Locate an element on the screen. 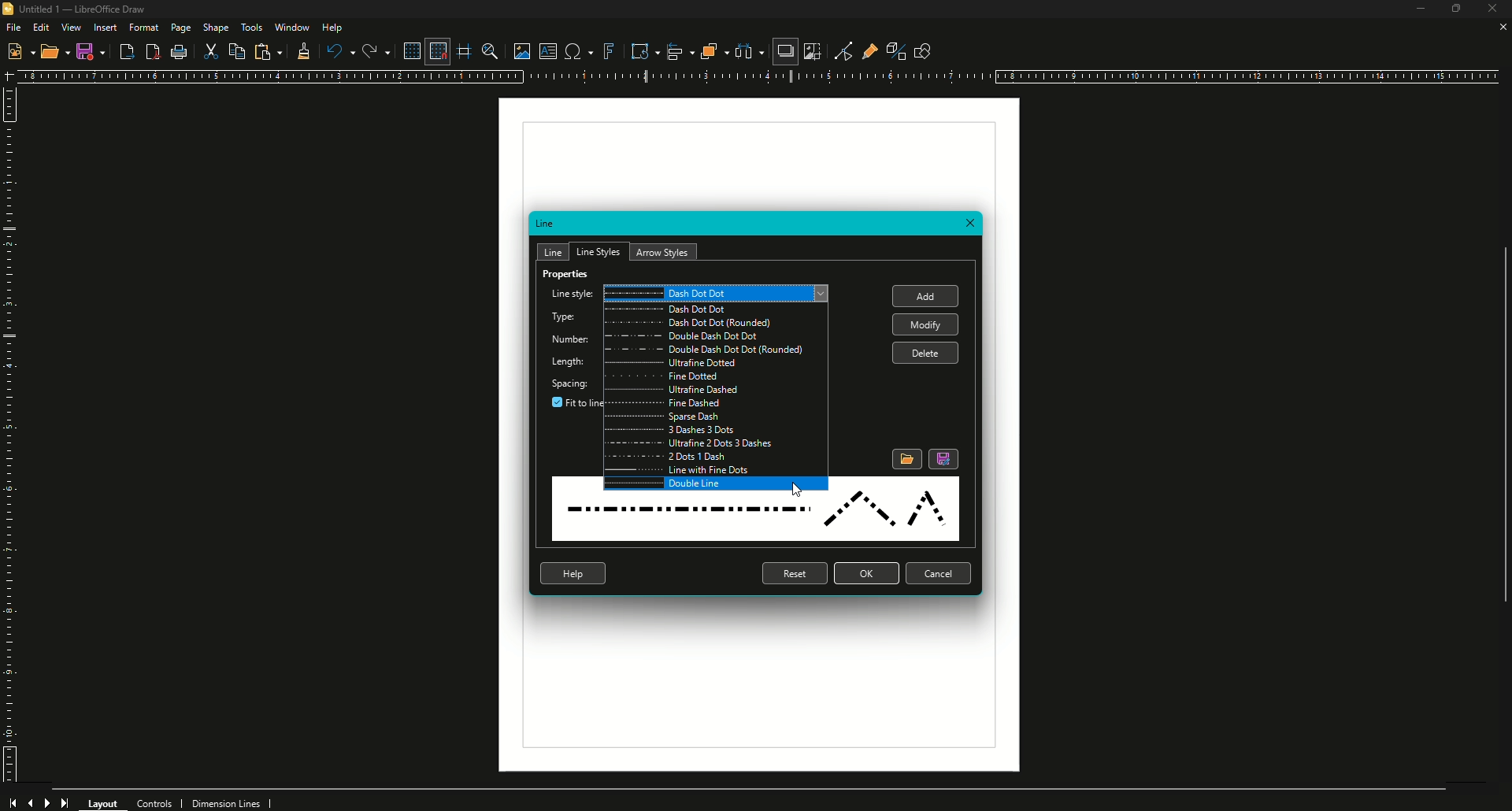  Cursor is located at coordinates (798, 486).